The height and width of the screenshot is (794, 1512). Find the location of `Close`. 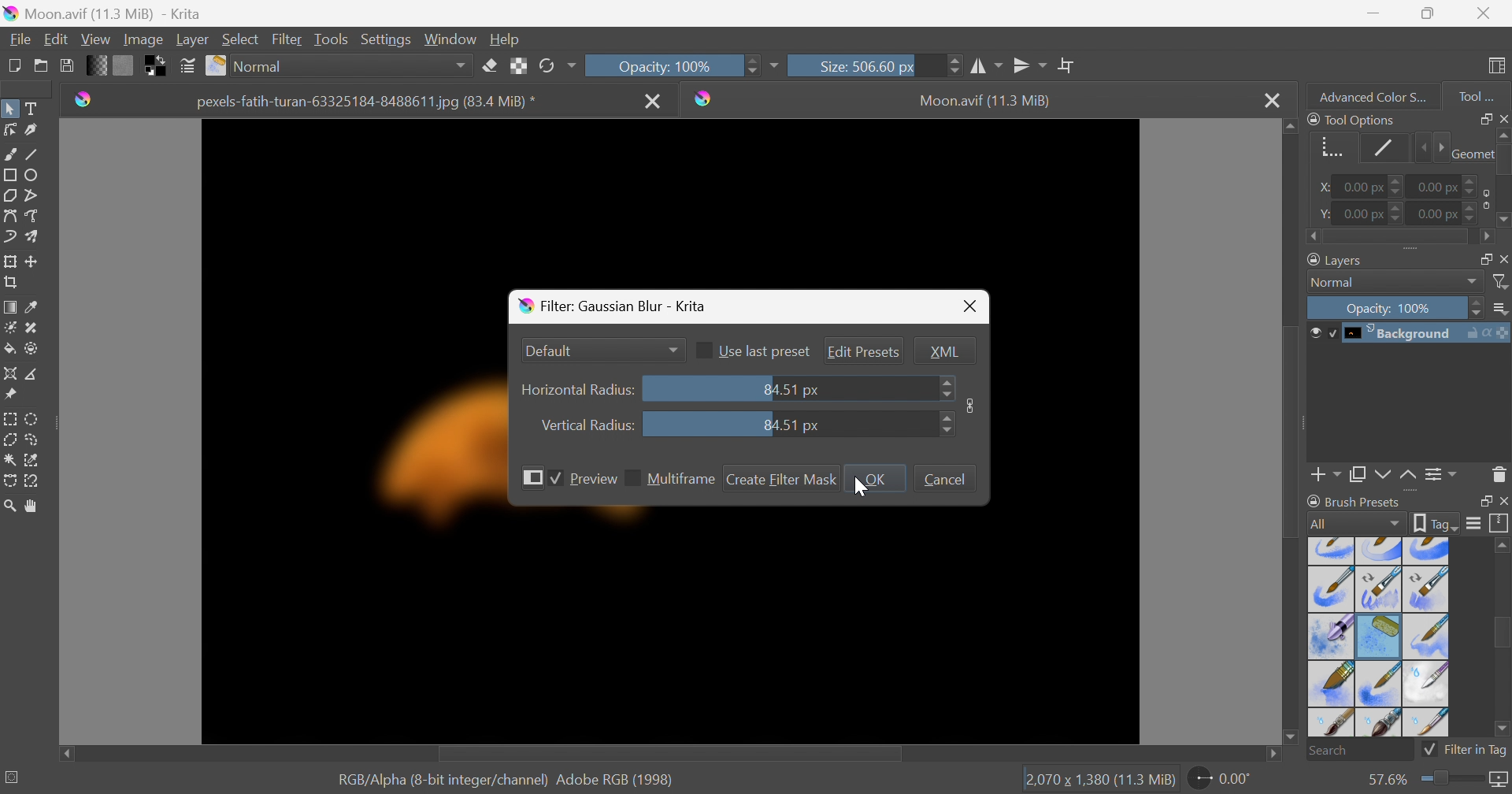

Close is located at coordinates (1503, 501).